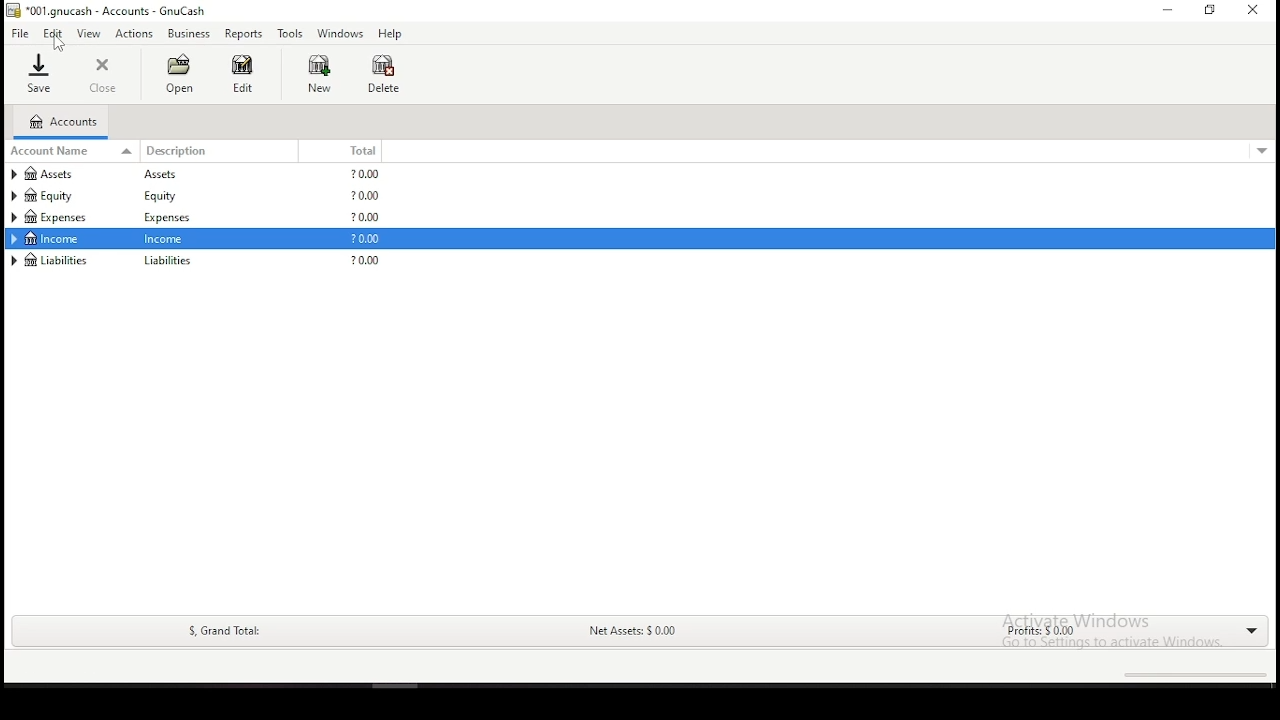 This screenshot has width=1280, height=720. What do you see at coordinates (339, 34) in the screenshot?
I see `windows` at bounding box center [339, 34].